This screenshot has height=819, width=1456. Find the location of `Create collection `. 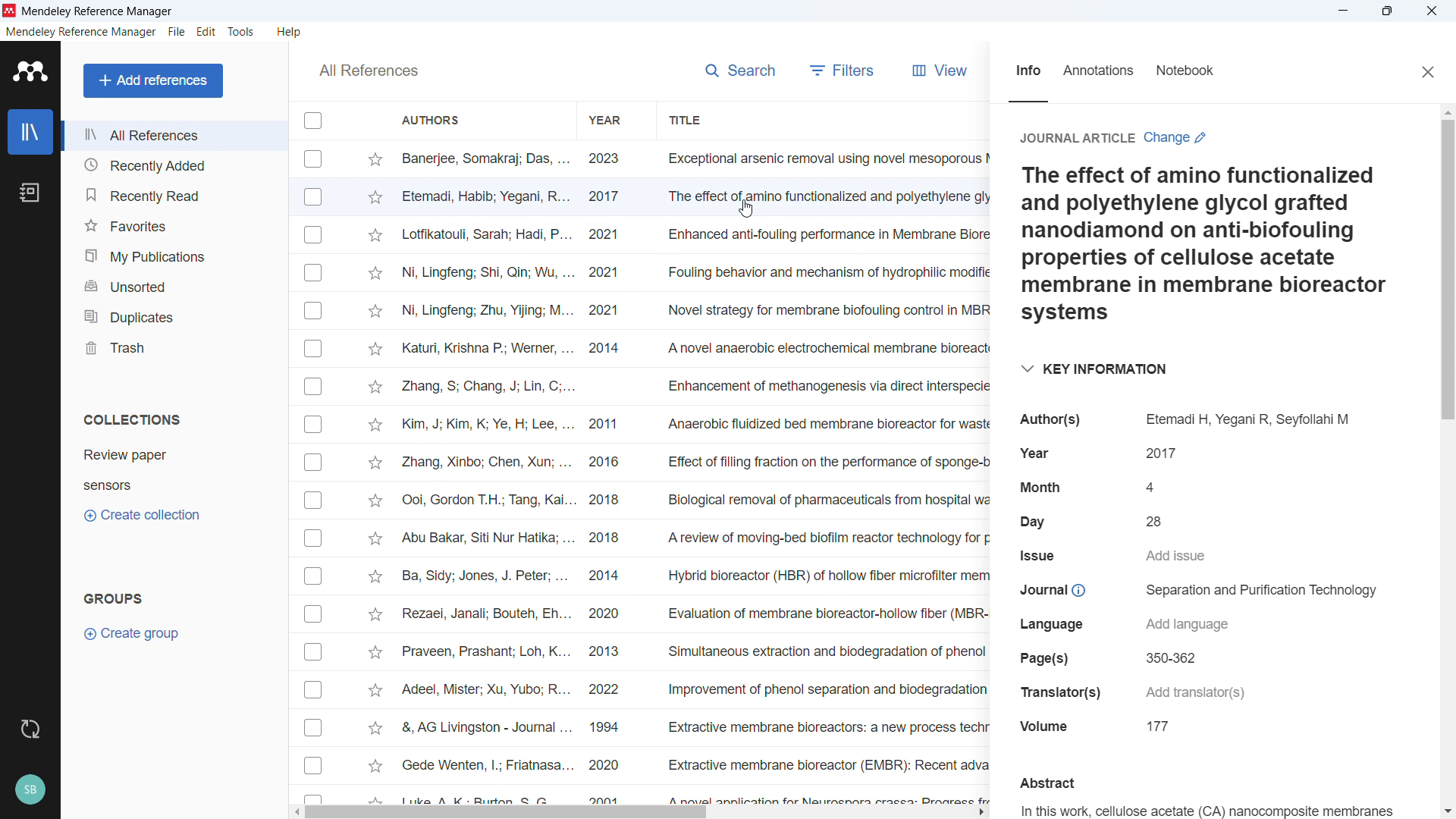

Create collection  is located at coordinates (143, 516).